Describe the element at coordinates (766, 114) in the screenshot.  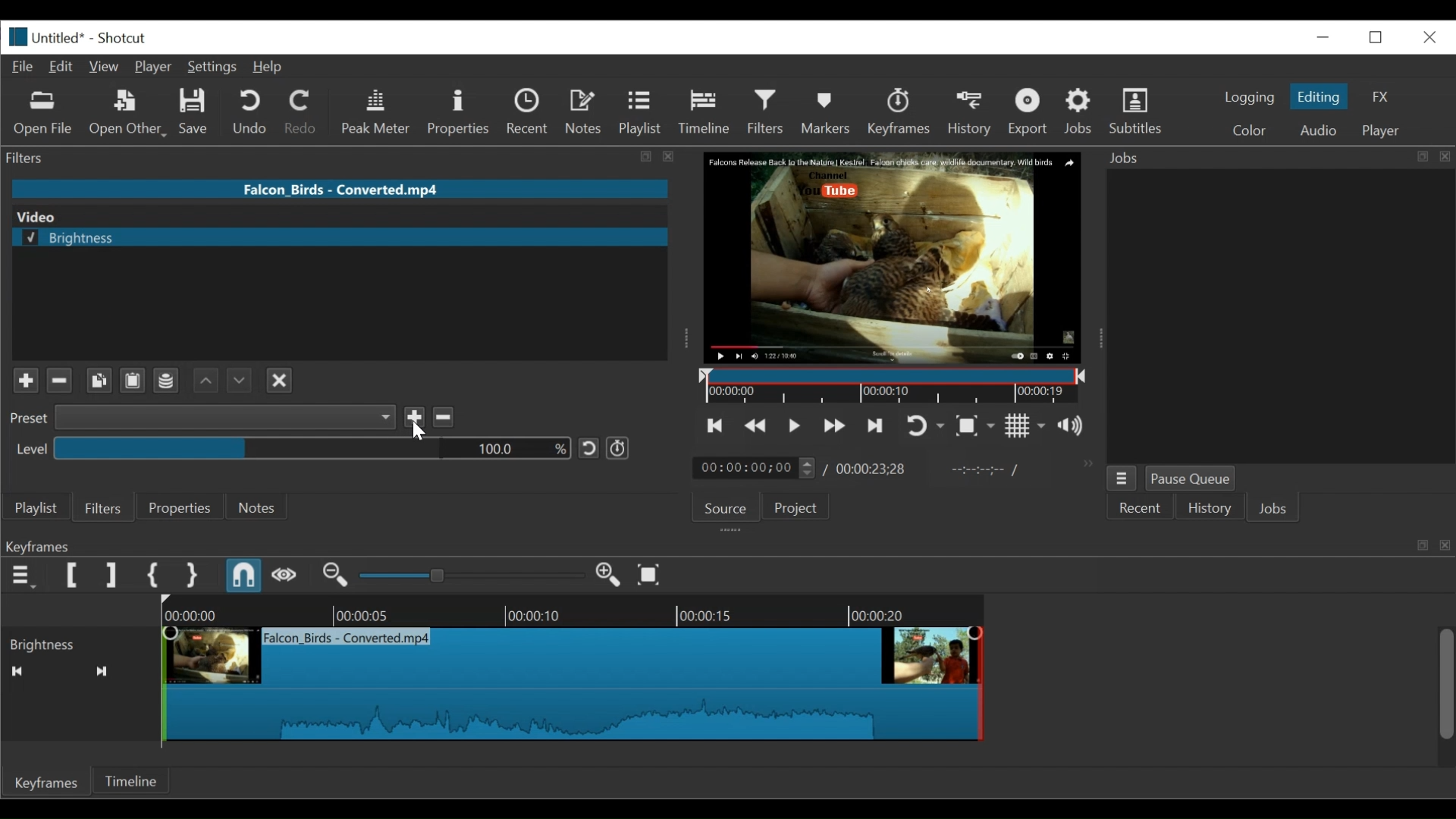
I see `Filters` at that location.